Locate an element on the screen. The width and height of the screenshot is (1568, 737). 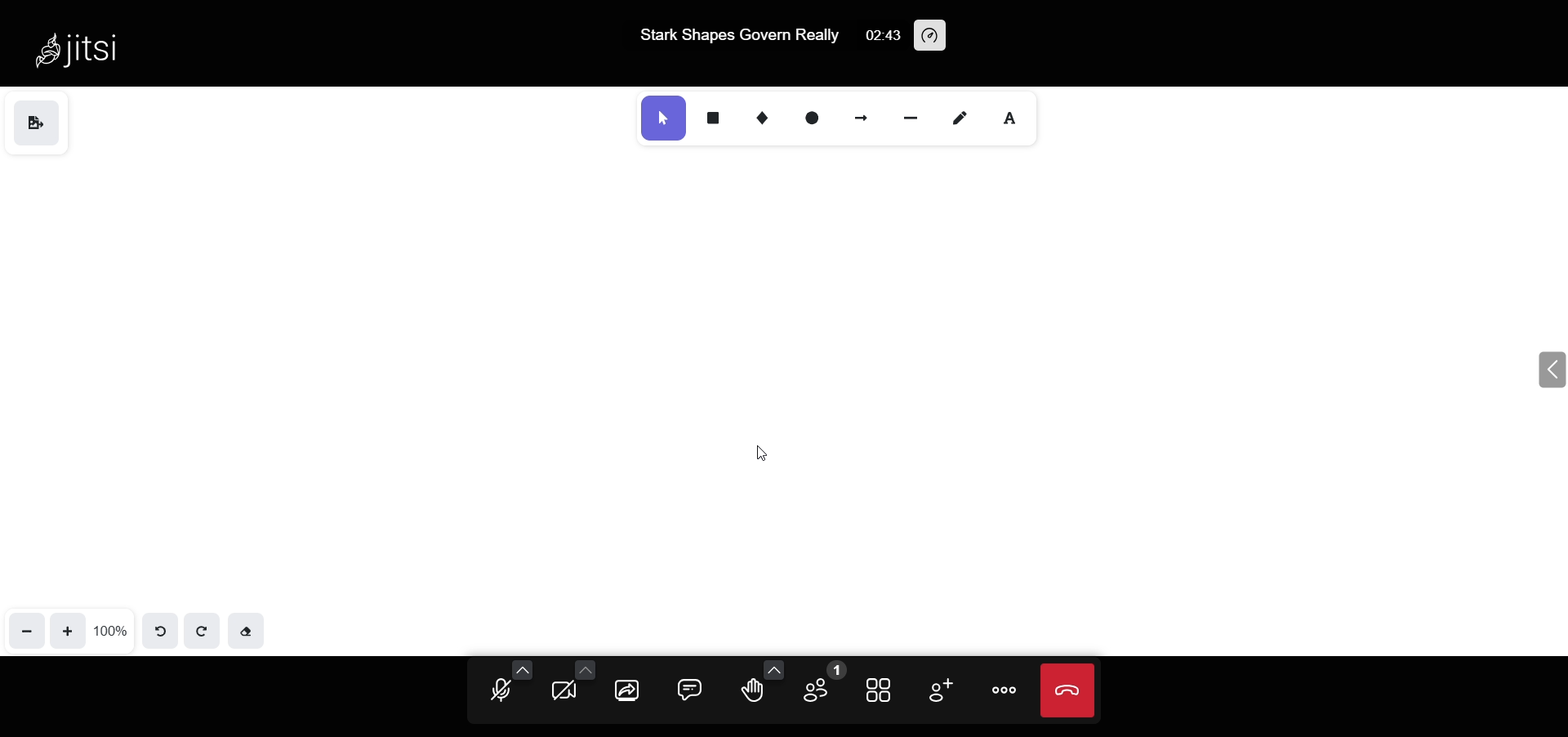
expand is located at coordinates (1549, 369).